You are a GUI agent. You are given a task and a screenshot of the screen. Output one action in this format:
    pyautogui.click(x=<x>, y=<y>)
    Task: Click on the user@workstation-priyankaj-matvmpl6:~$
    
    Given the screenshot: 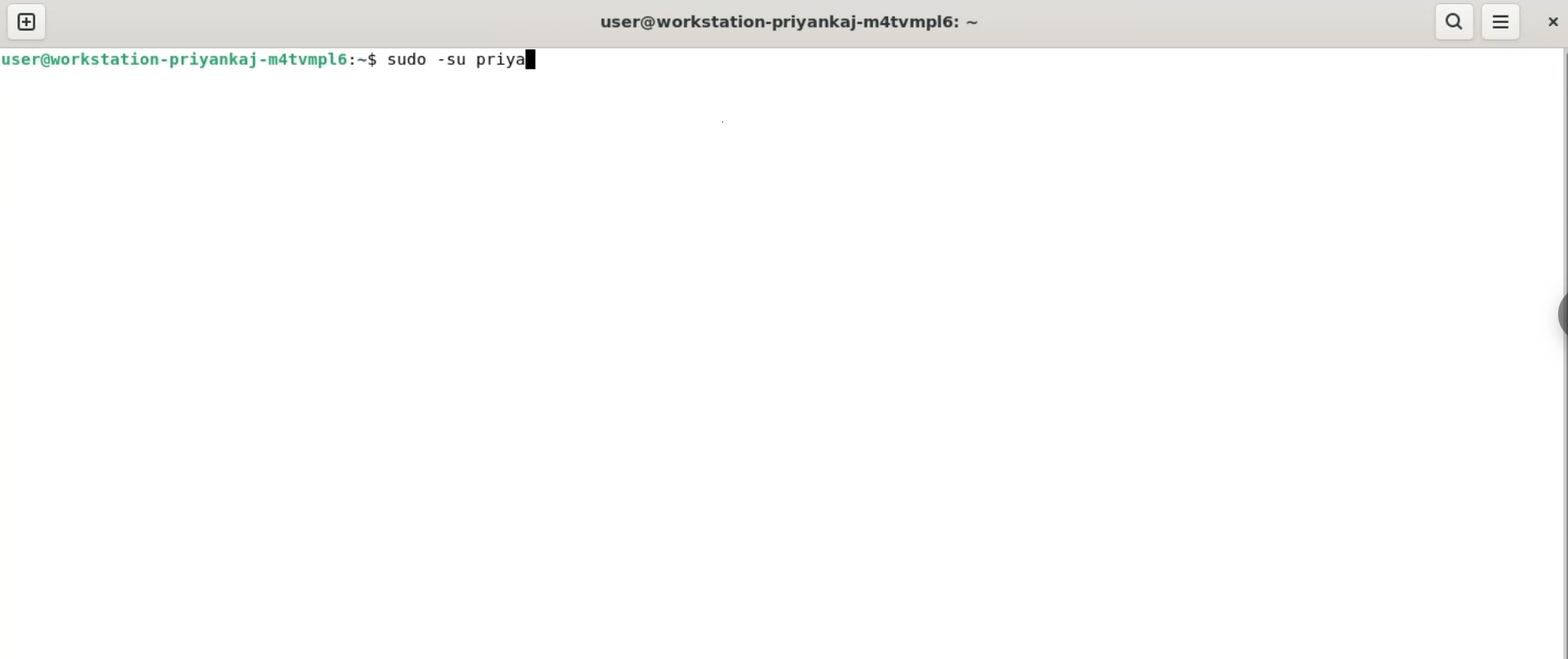 What is the action you would take?
    pyautogui.click(x=191, y=58)
    